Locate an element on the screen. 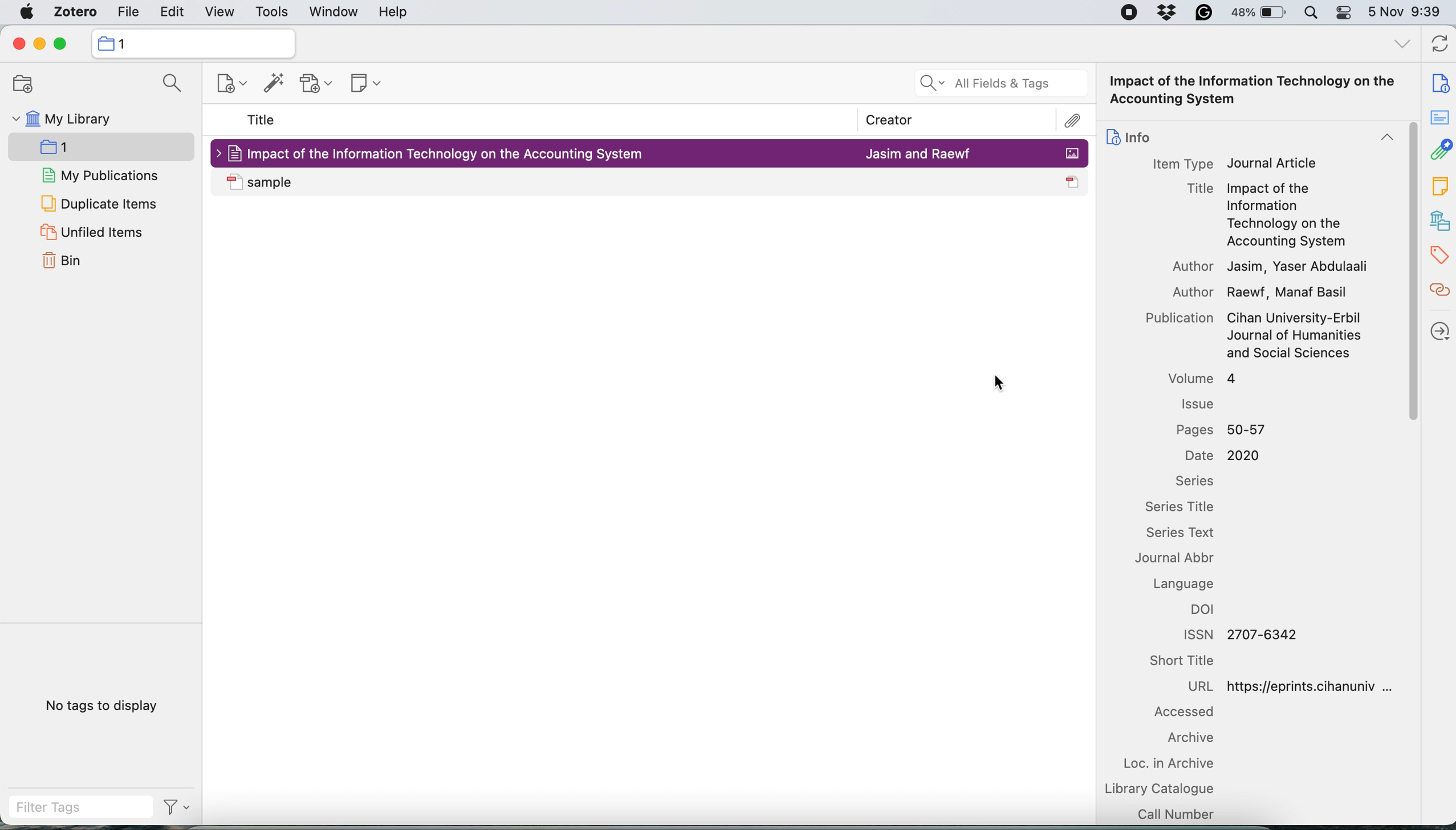  short title is located at coordinates (1184, 661).